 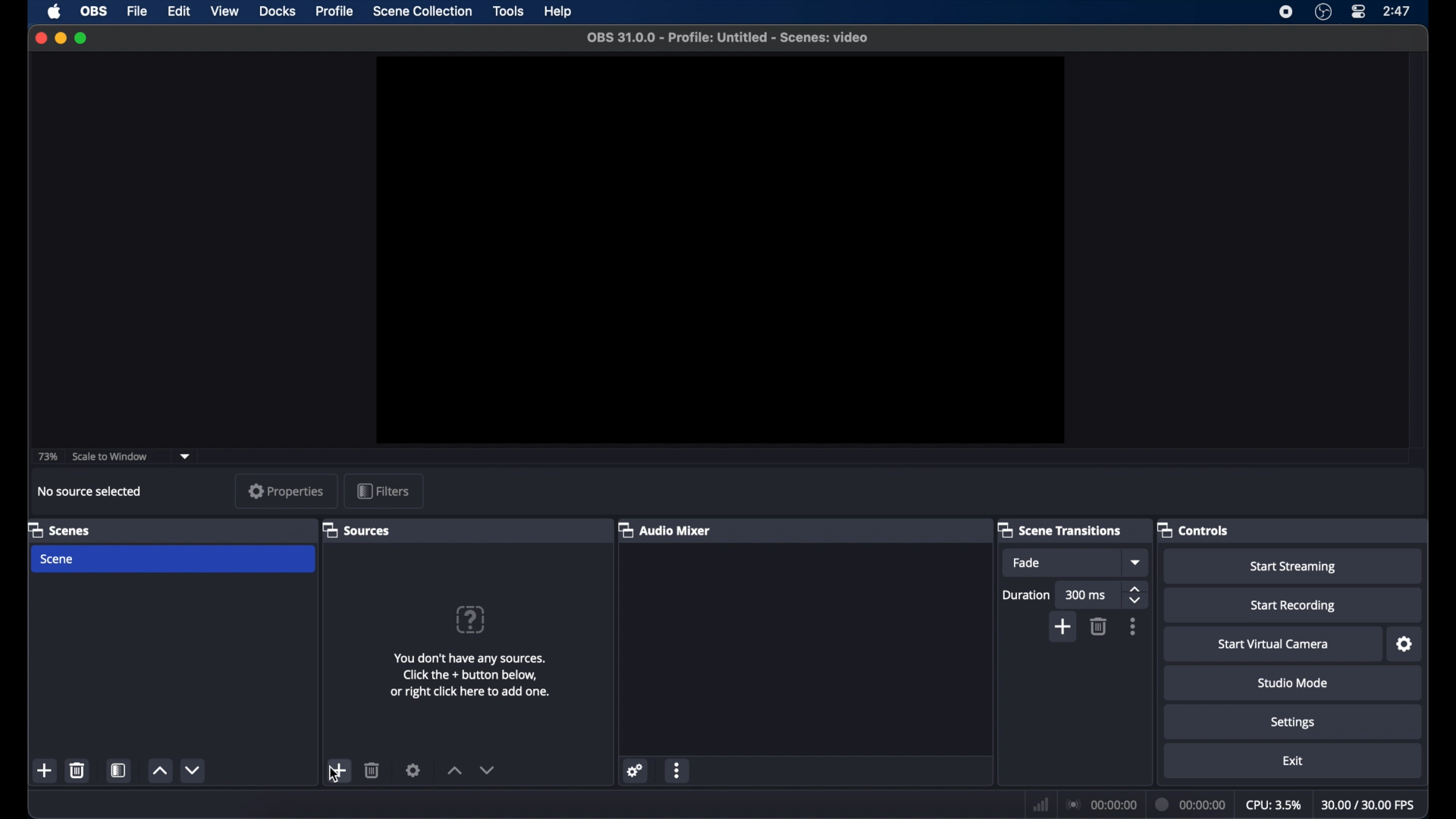 I want to click on increment button, so click(x=159, y=770).